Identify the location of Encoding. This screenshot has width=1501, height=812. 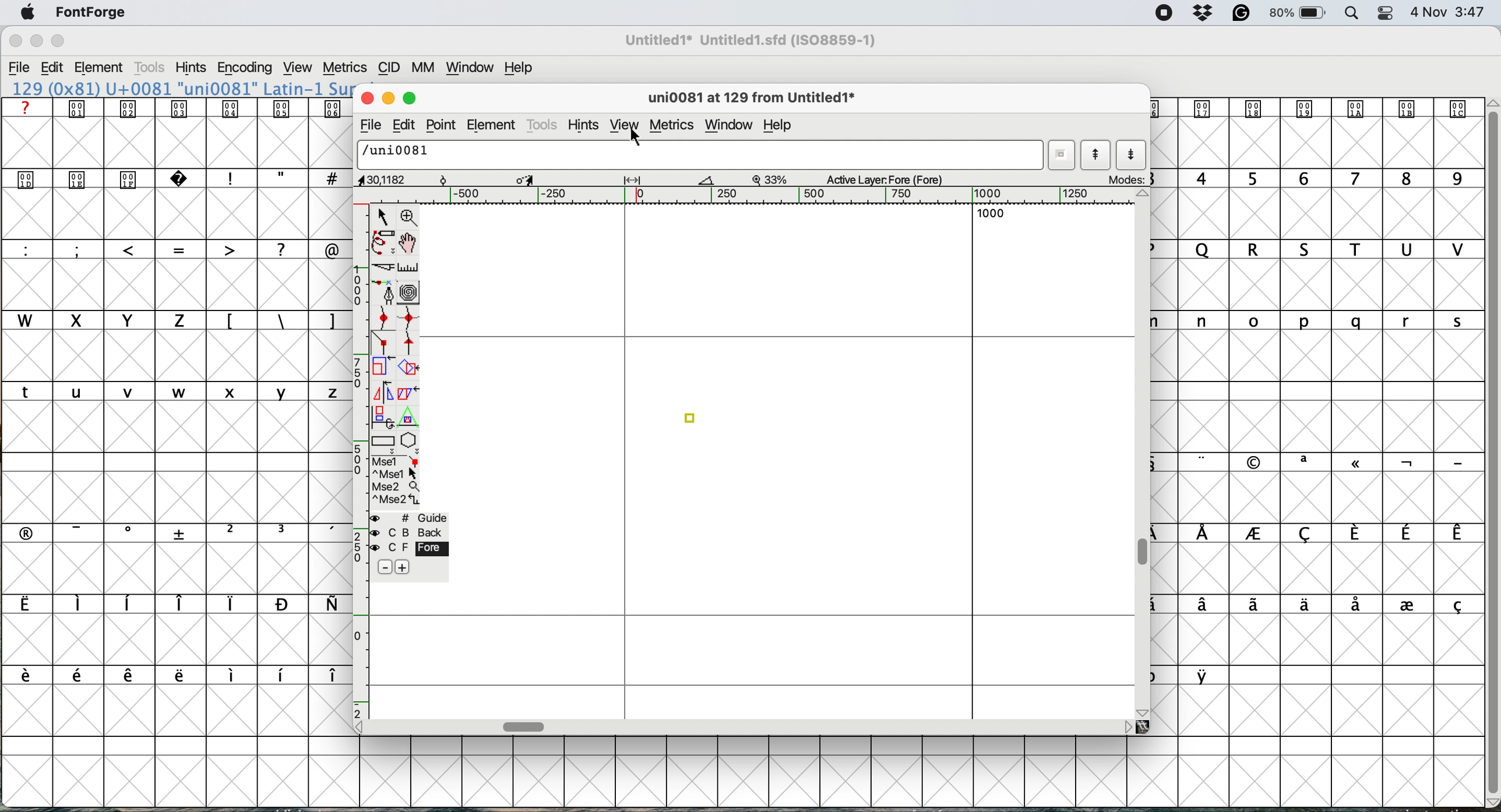
(247, 68).